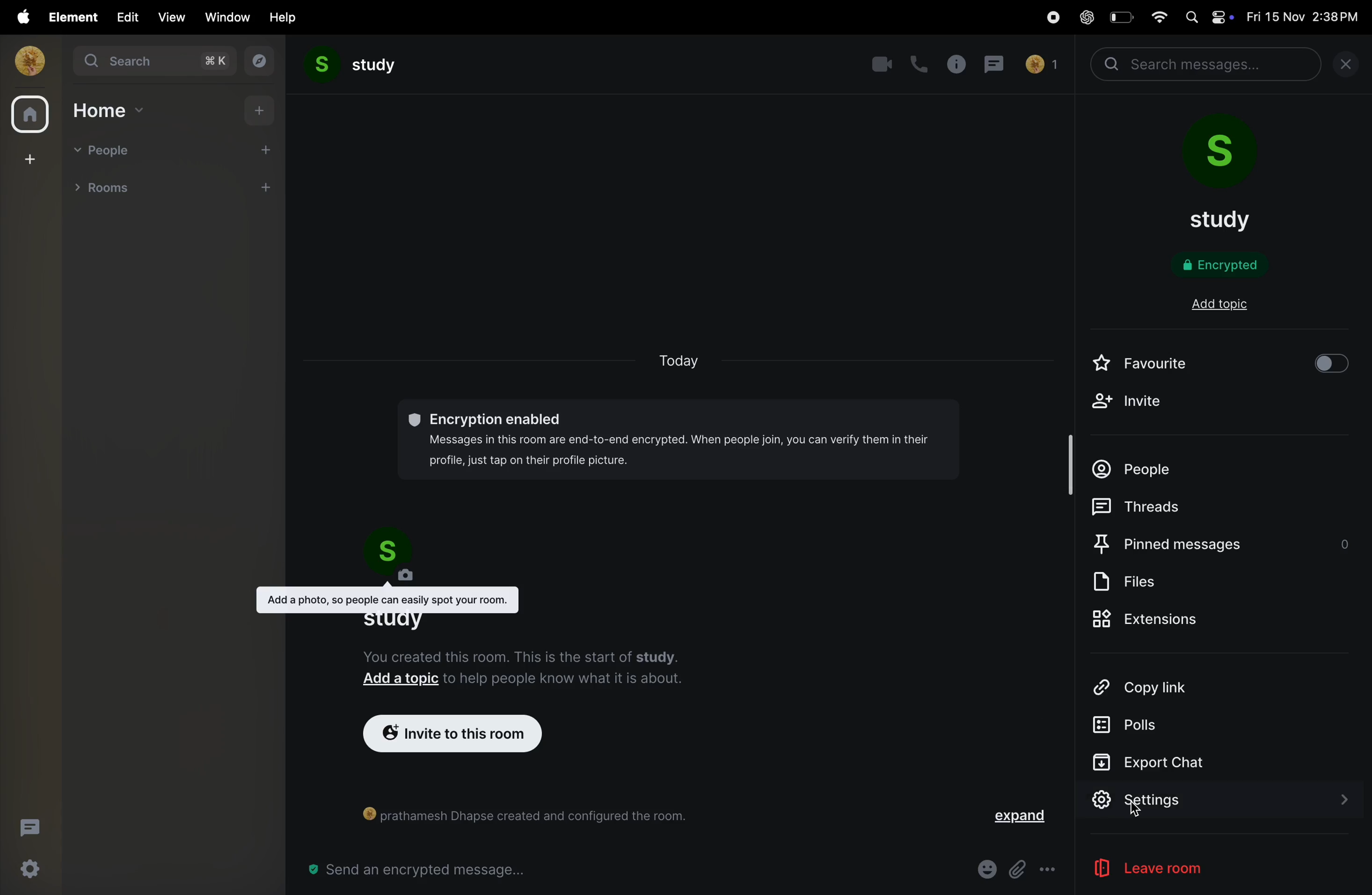 Image resolution: width=1372 pixels, height=895 pixels. What do you see at coordinates (533, 814) in the screenshot?
I see `() prathamesh Dhapse created and configured the room.` at bounding box center [533, 814].